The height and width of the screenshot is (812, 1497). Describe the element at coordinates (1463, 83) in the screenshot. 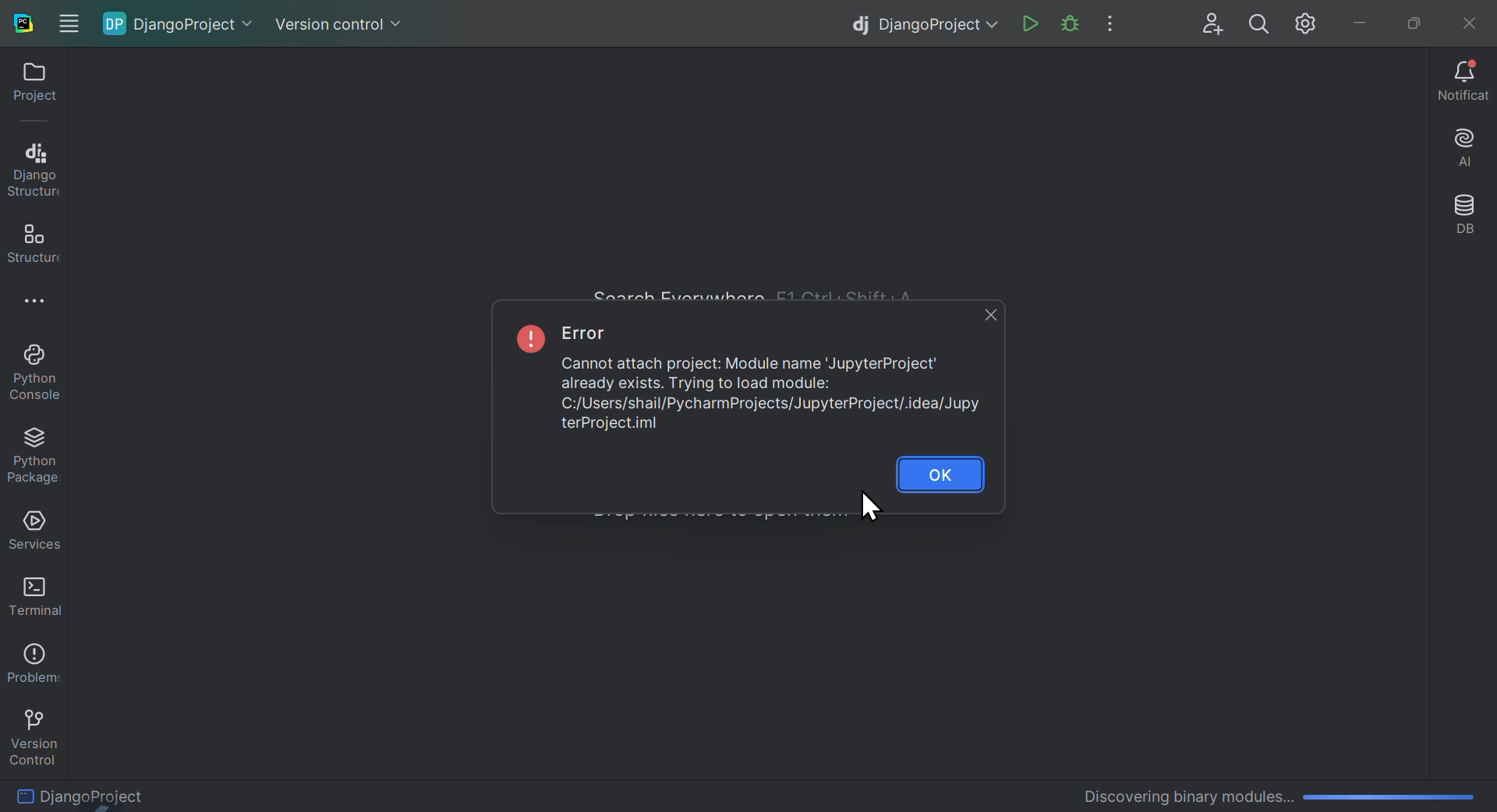

I see `Notifications` at that location.